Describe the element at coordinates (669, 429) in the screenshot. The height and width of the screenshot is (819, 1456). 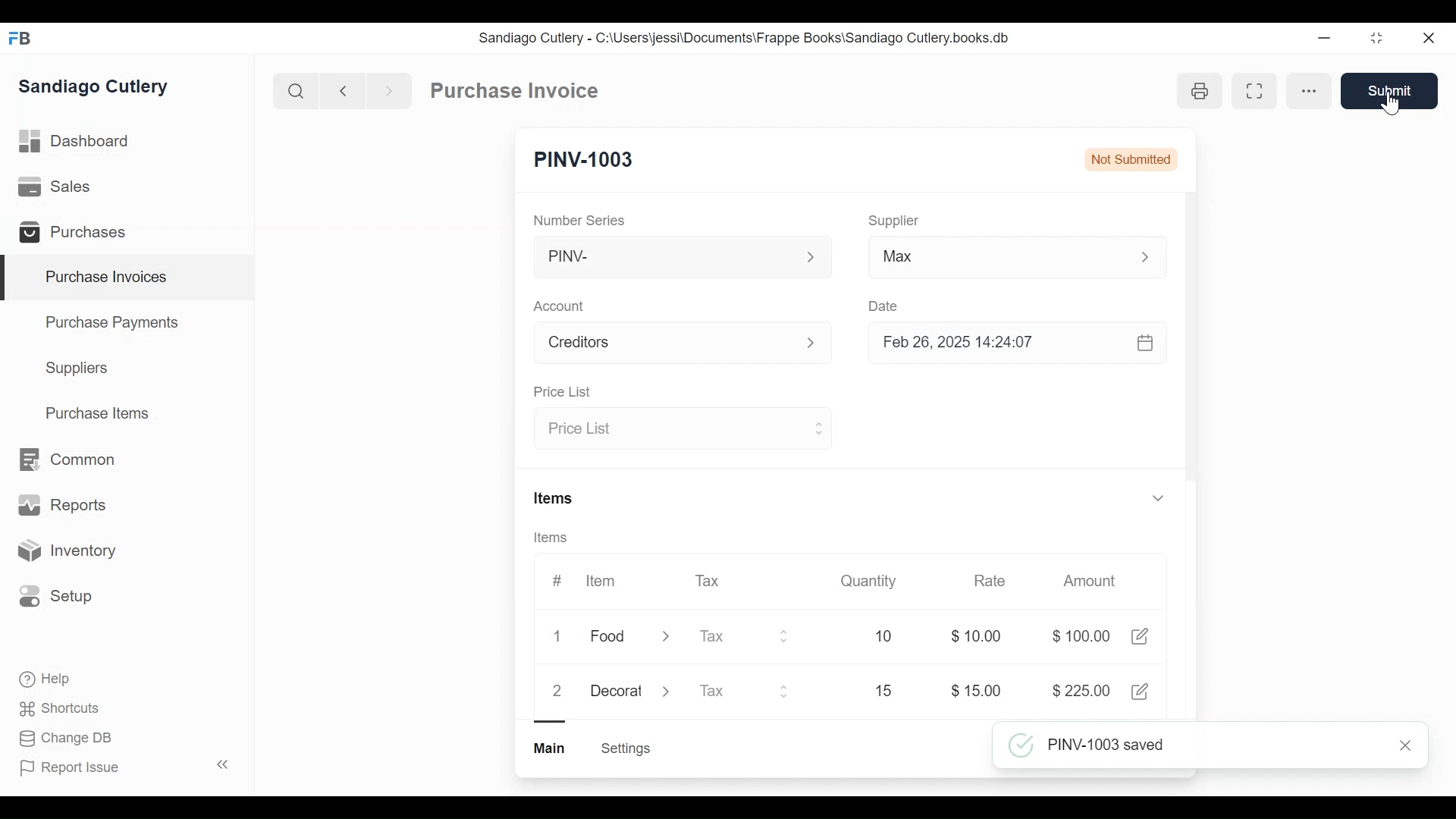
I see `Price List` at that location.